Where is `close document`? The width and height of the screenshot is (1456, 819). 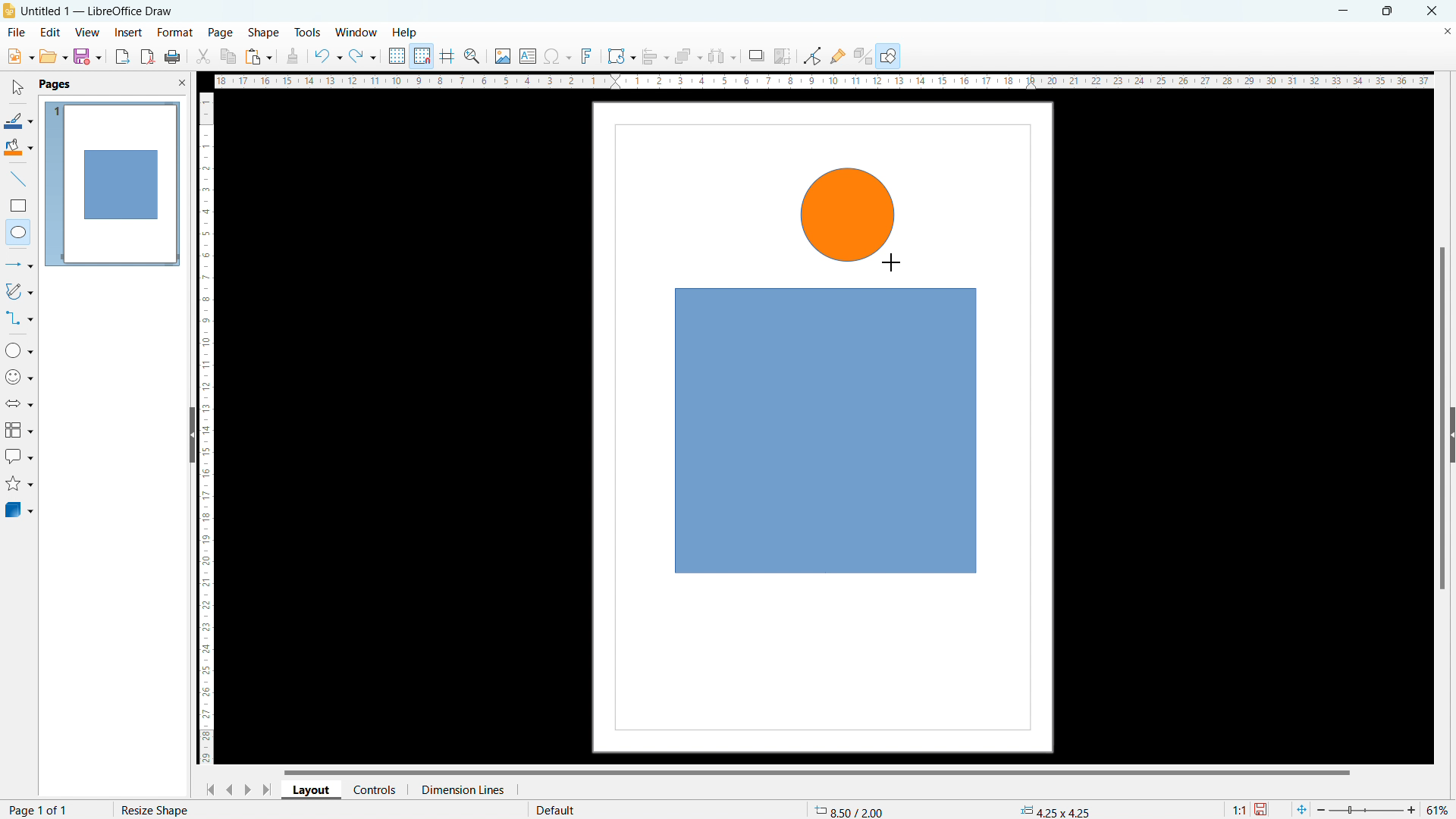
close document is located at coordinates (1447, 30).